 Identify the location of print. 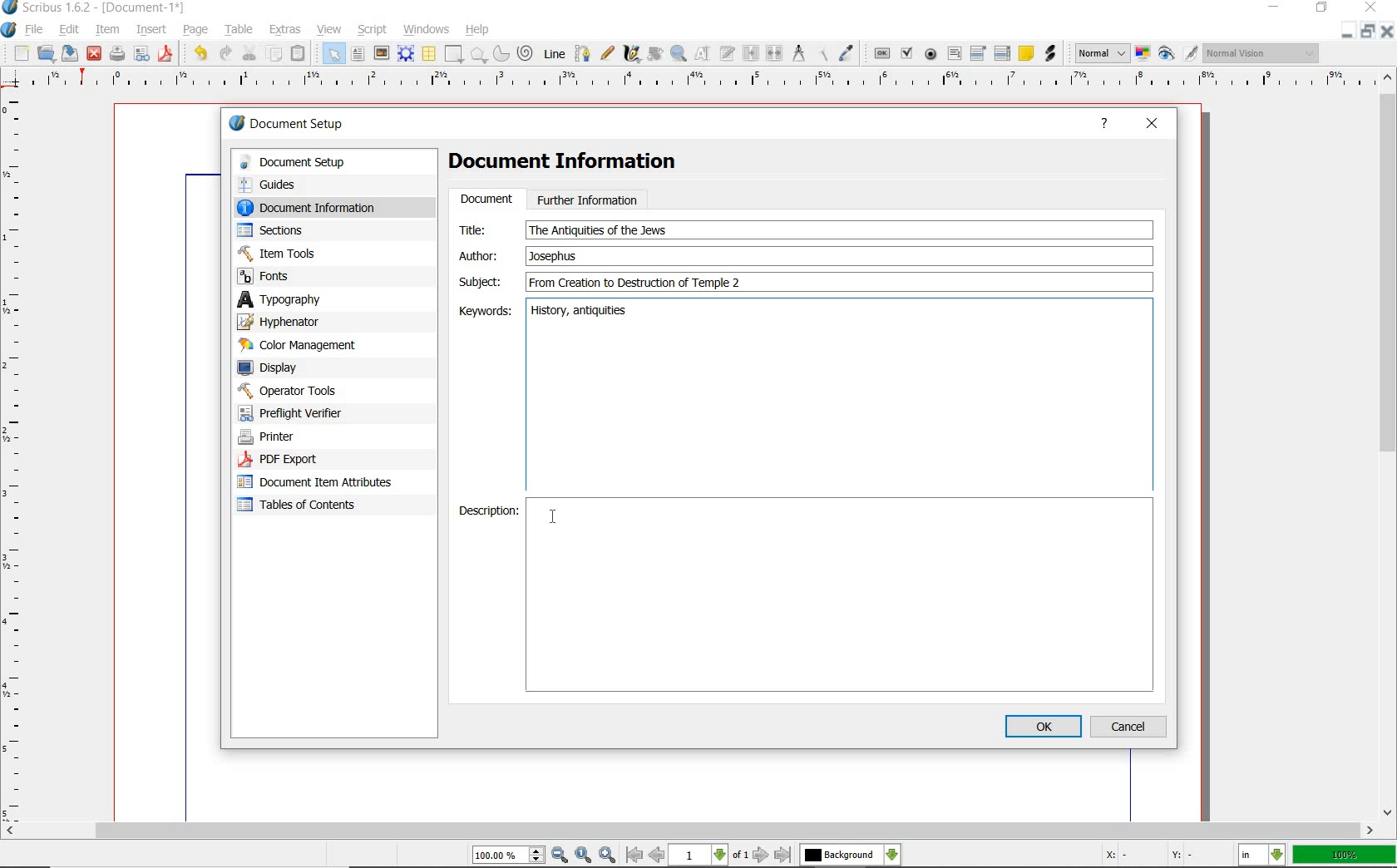
(117, 55).